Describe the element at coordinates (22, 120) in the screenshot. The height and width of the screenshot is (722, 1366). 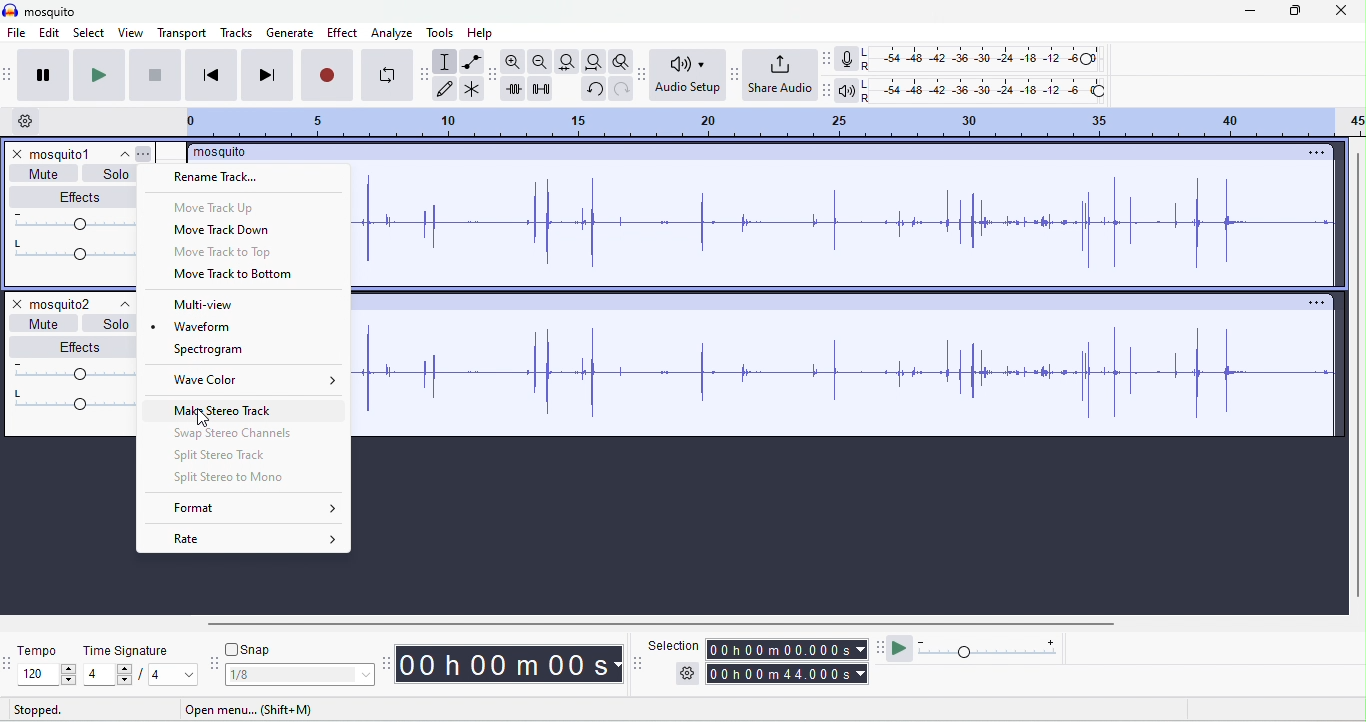
I see `timeline options` at that location.